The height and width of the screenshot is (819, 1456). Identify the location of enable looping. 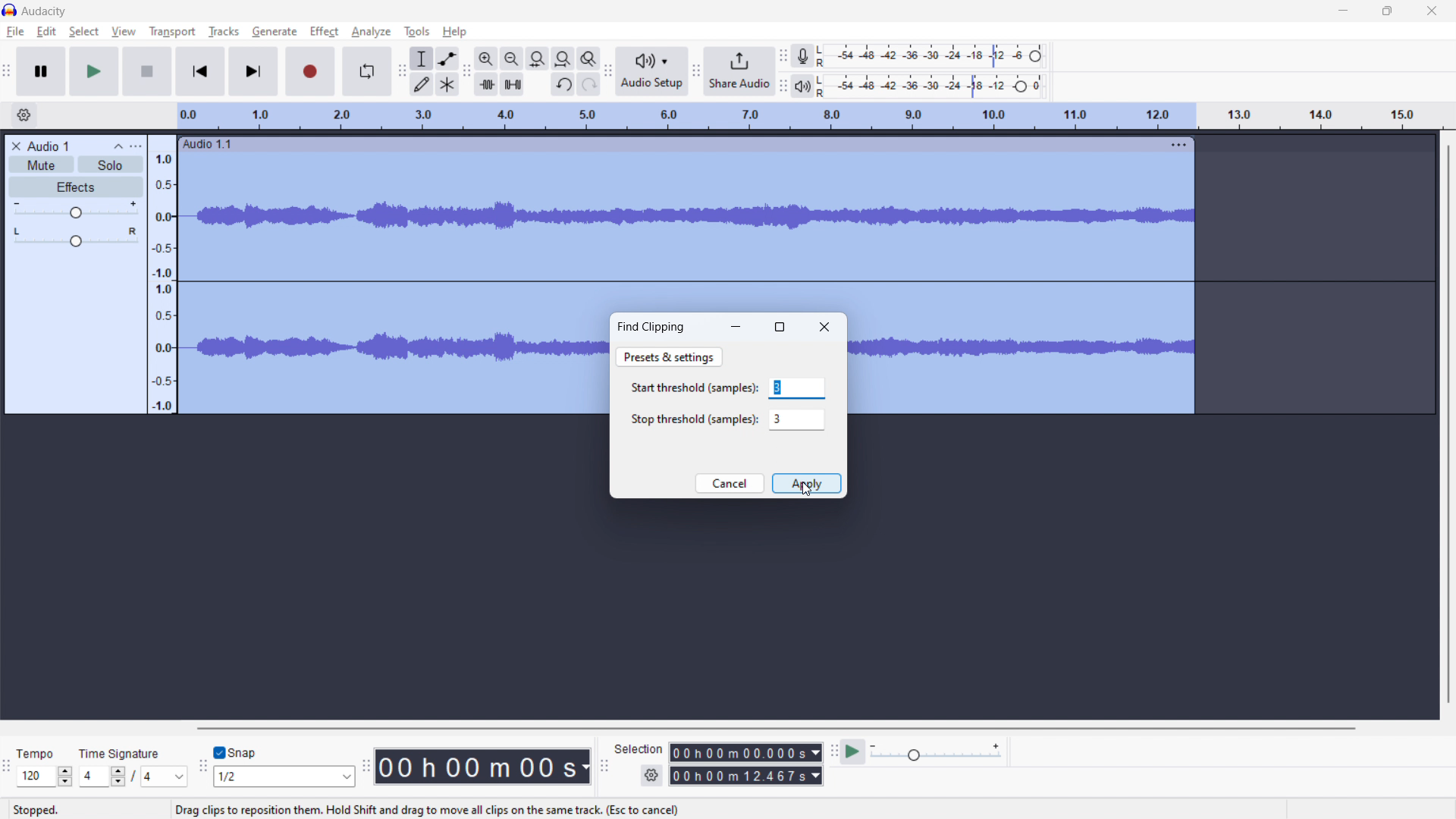
(366, 71).